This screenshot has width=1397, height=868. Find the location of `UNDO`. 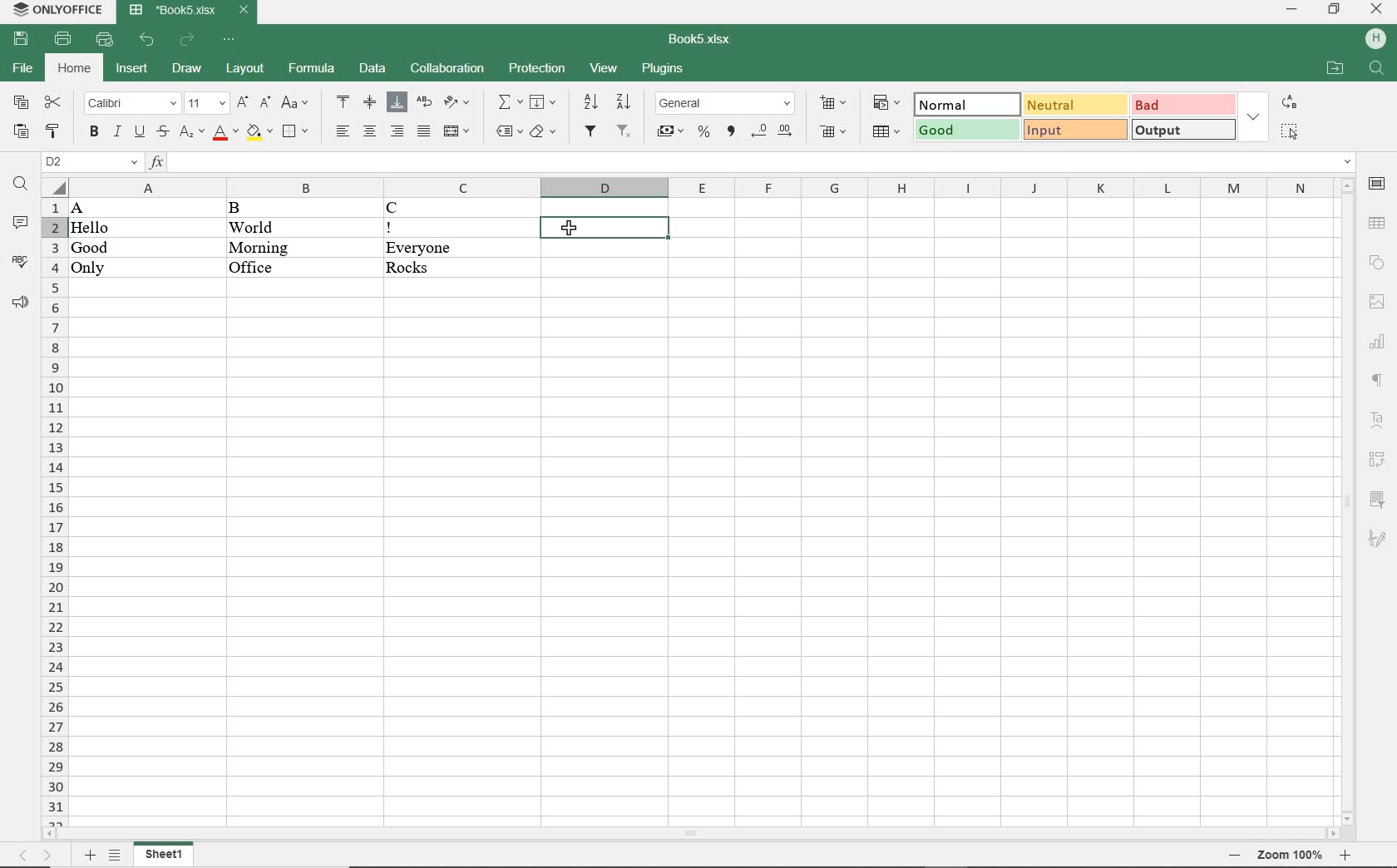

UNDO is located at coordinates (146, 39).